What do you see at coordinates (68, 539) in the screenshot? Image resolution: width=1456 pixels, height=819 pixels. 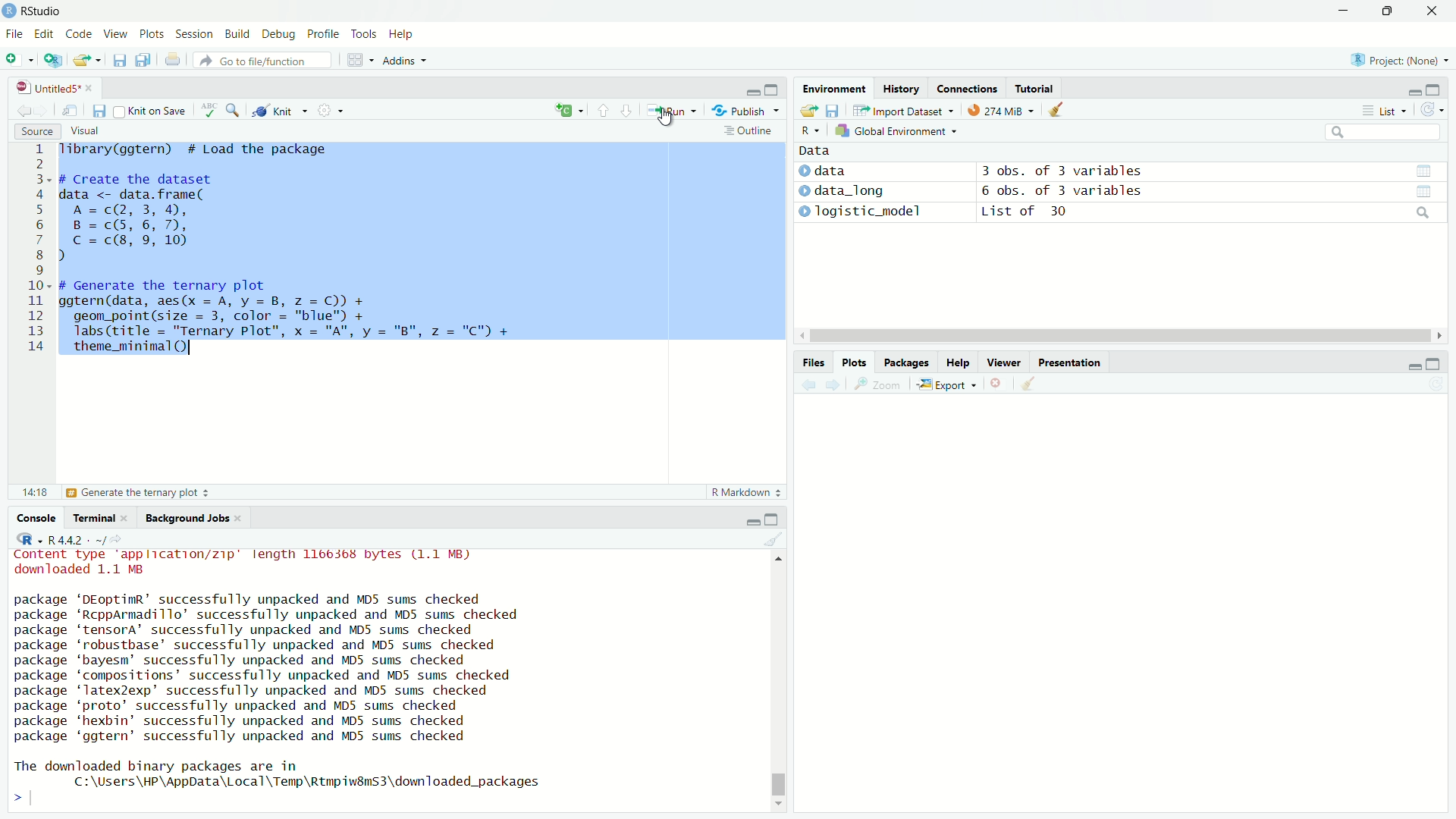 I see `R442 - ~` at bounding box center [68, 539].